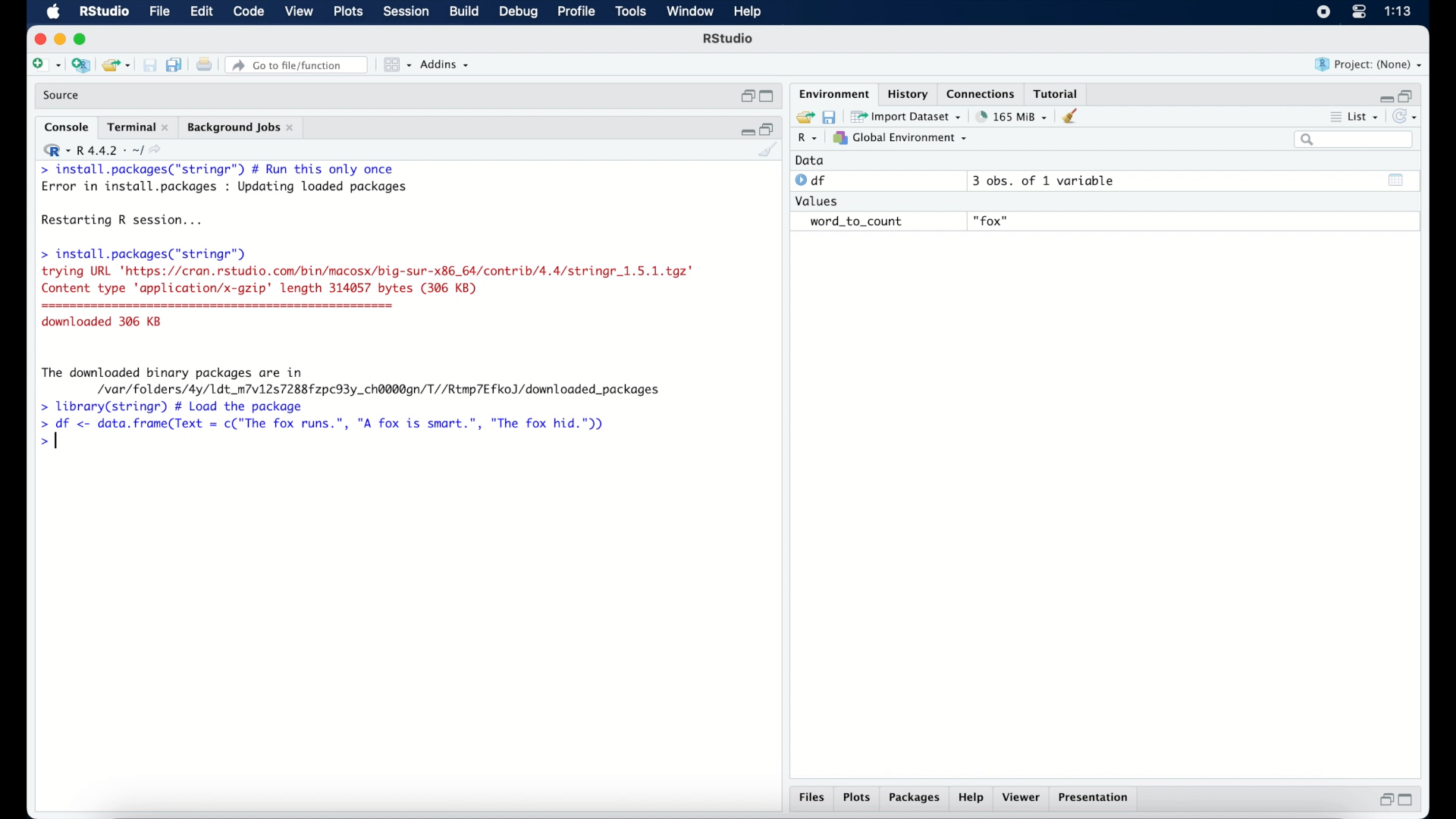 The image size is (1456, 819). Describe the element at coordinates (249, 12) in the screenshot. I see `code` at that location.